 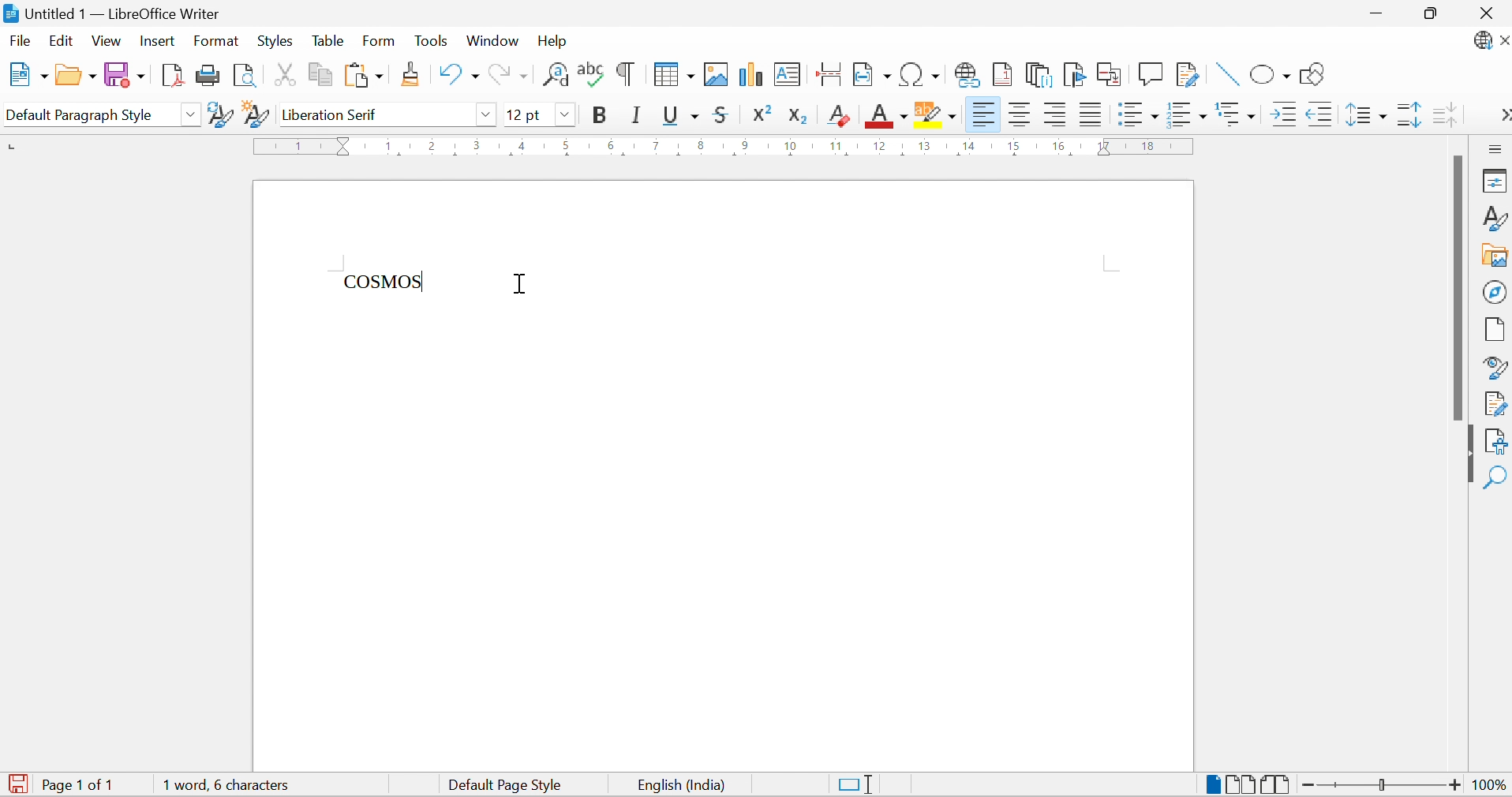 What do you see at coordinates (1236, 112) in the screenshot?
I see `Select Outline Format` at bounding box center [1236, 112].